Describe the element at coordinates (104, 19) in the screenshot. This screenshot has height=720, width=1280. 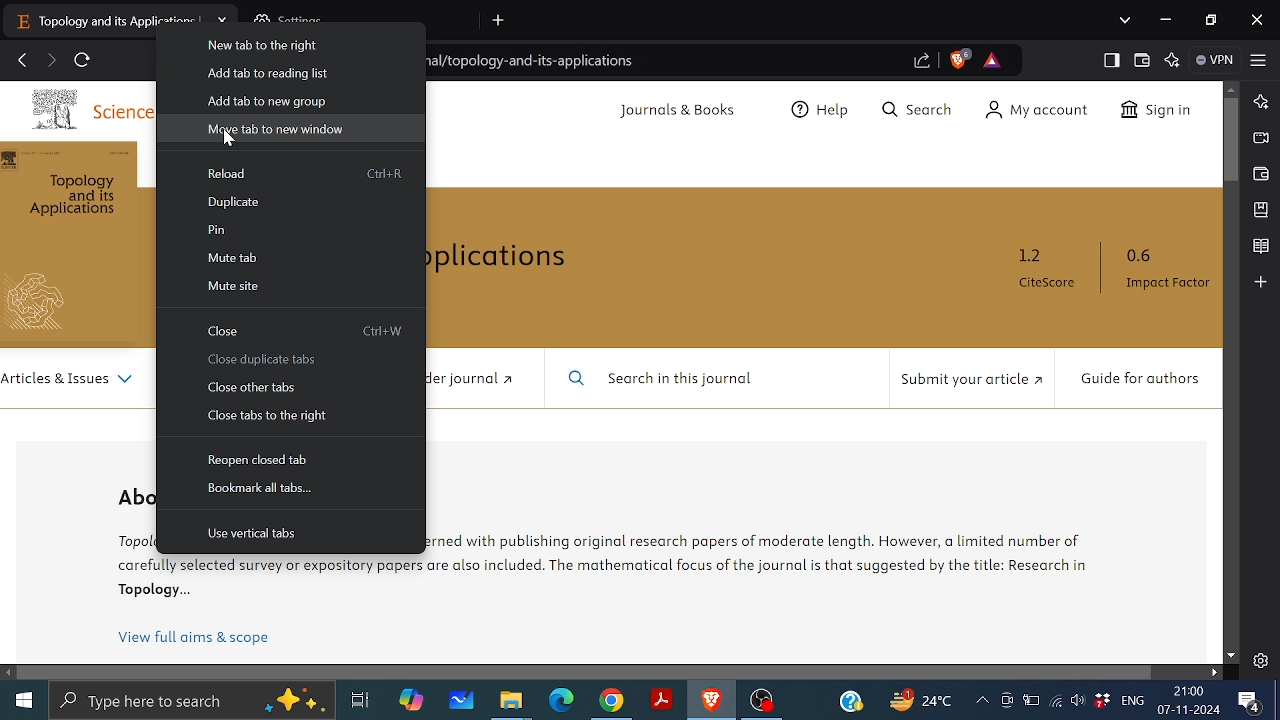
I see `Current tab` at that location.